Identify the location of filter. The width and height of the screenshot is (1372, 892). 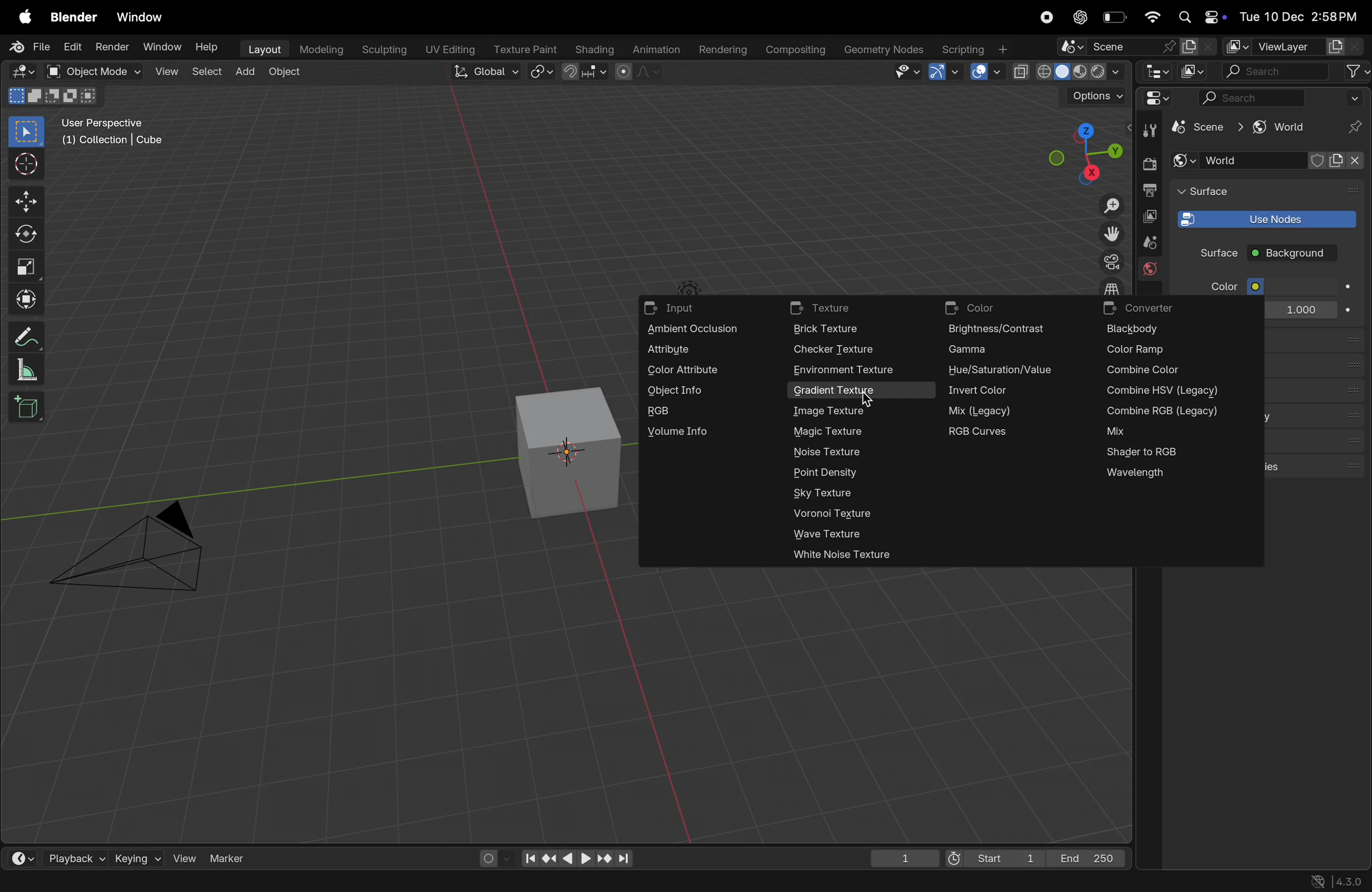
(1354, 72).